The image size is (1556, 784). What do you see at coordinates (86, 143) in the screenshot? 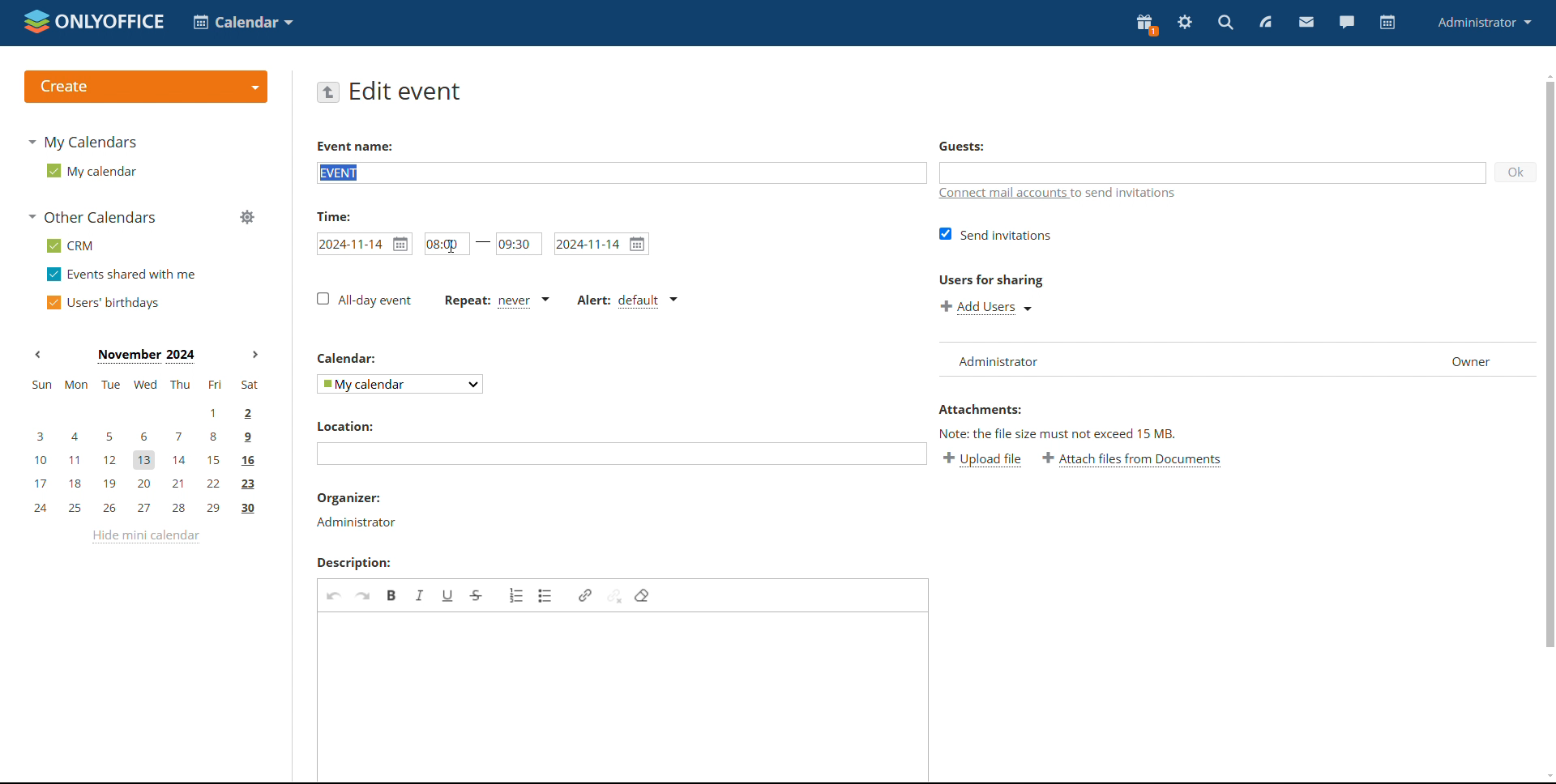
I see `my calendars` at bounding box center [86, 143].